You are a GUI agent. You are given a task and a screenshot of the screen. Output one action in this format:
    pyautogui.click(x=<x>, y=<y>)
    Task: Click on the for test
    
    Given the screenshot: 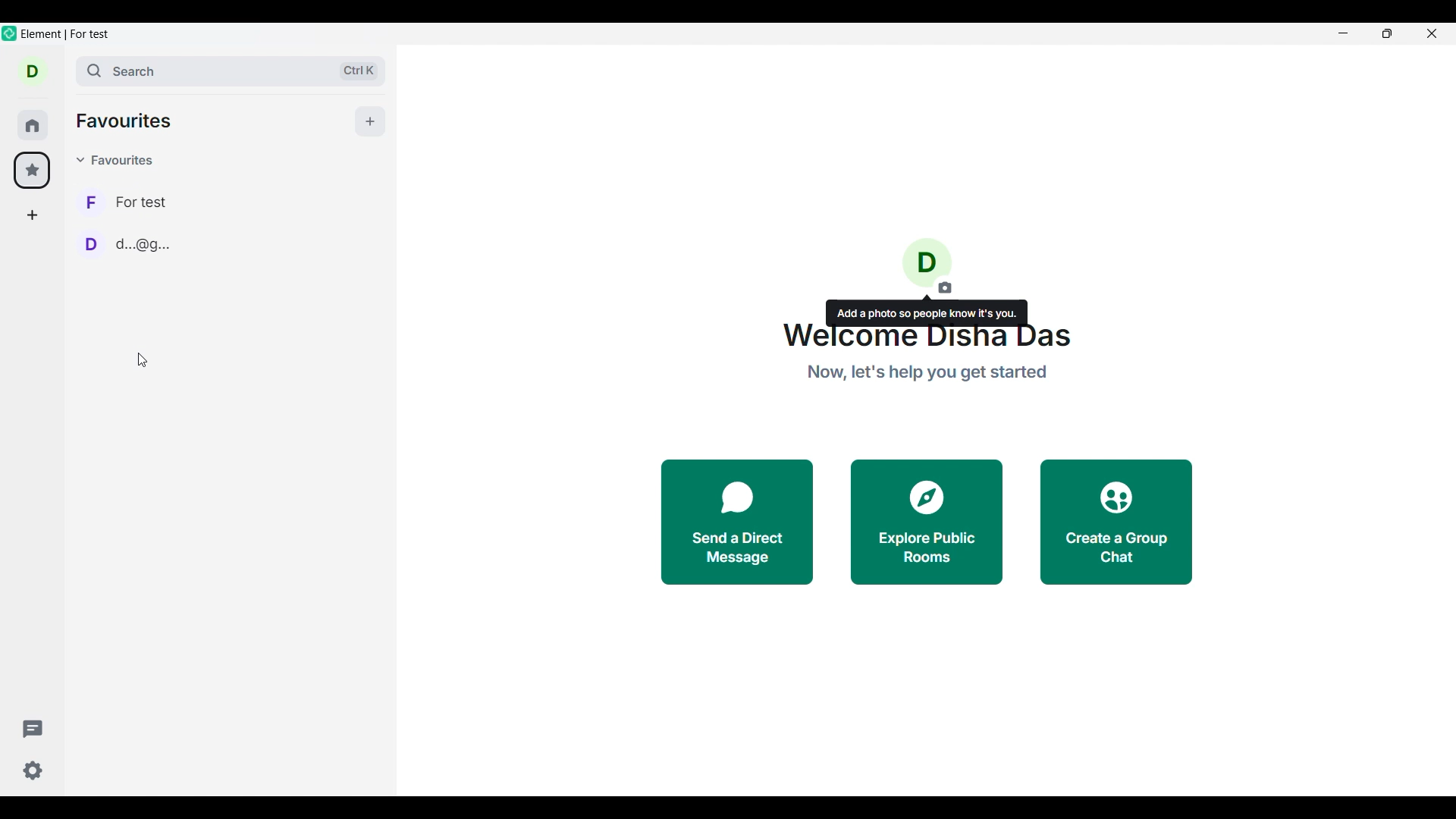 What is the action you would take?
    pyautogui.click(x=133, y=200)
    